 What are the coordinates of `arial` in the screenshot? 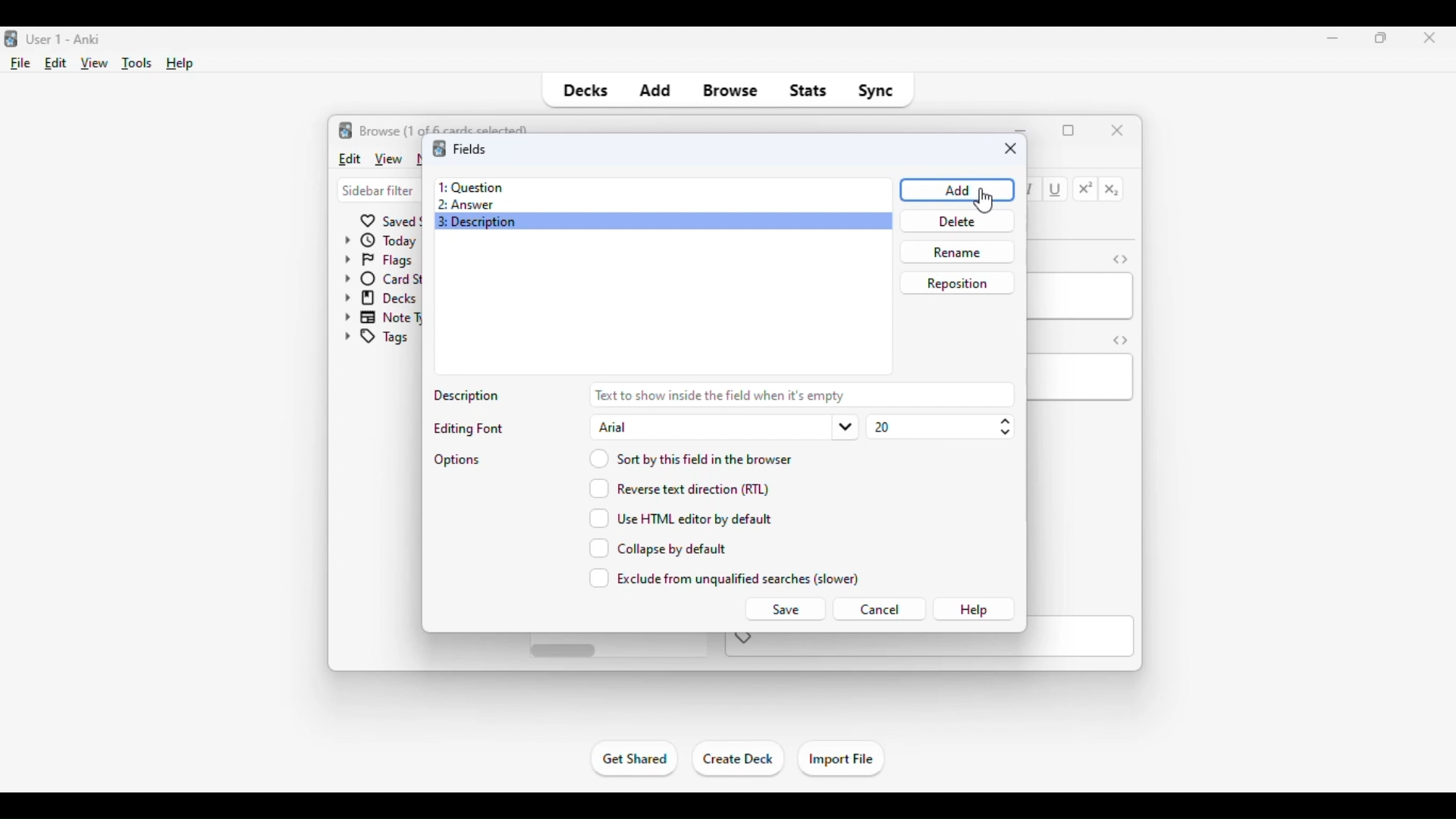 It's located at (723, 427).